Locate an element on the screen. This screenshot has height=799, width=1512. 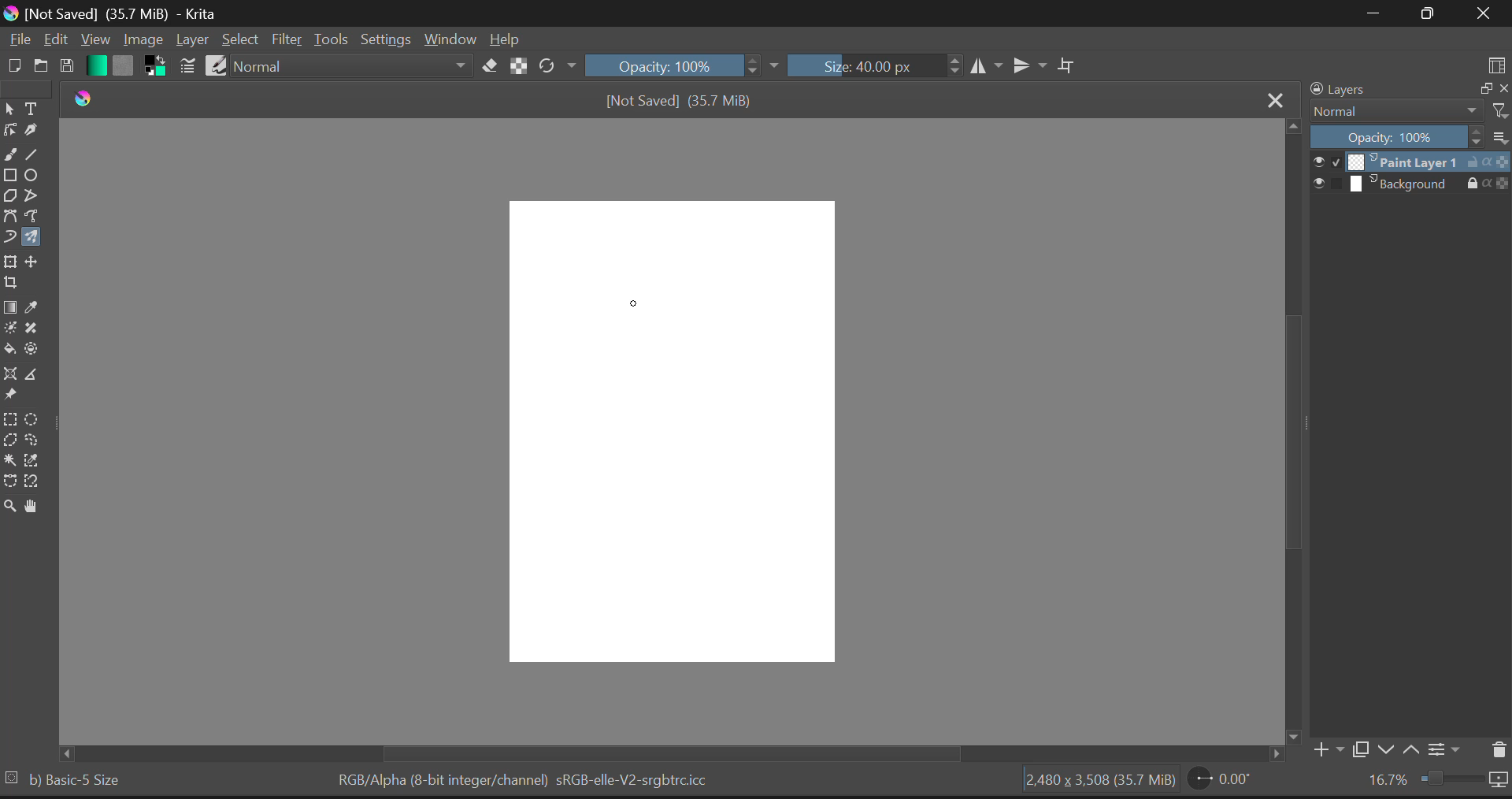
Delete Layers is located at coordinates (1497, 748).